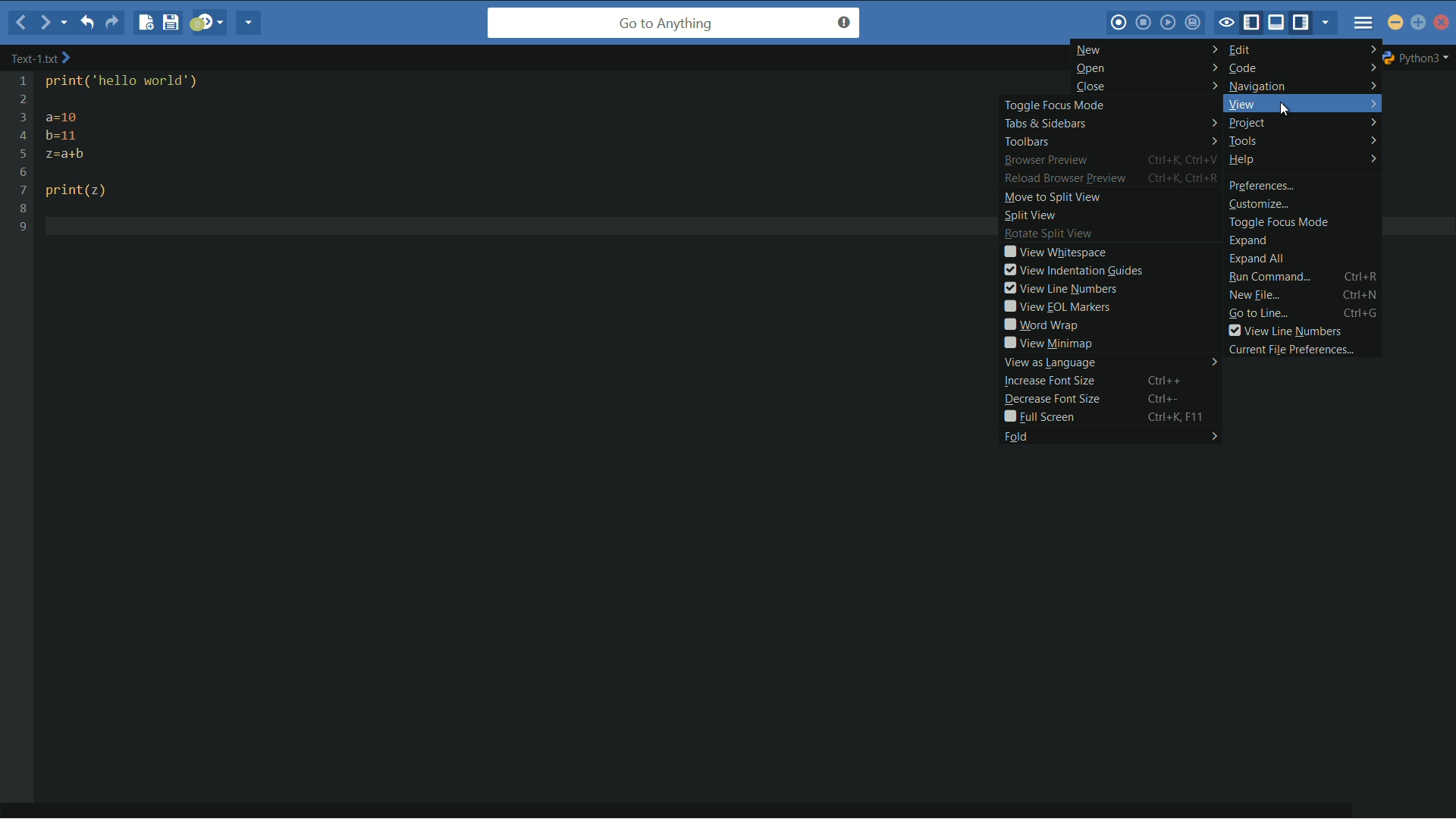  What do you see at coordinates (1304, 50) in the screenshot?
I see `edit` at bounding box center [1304, 50].